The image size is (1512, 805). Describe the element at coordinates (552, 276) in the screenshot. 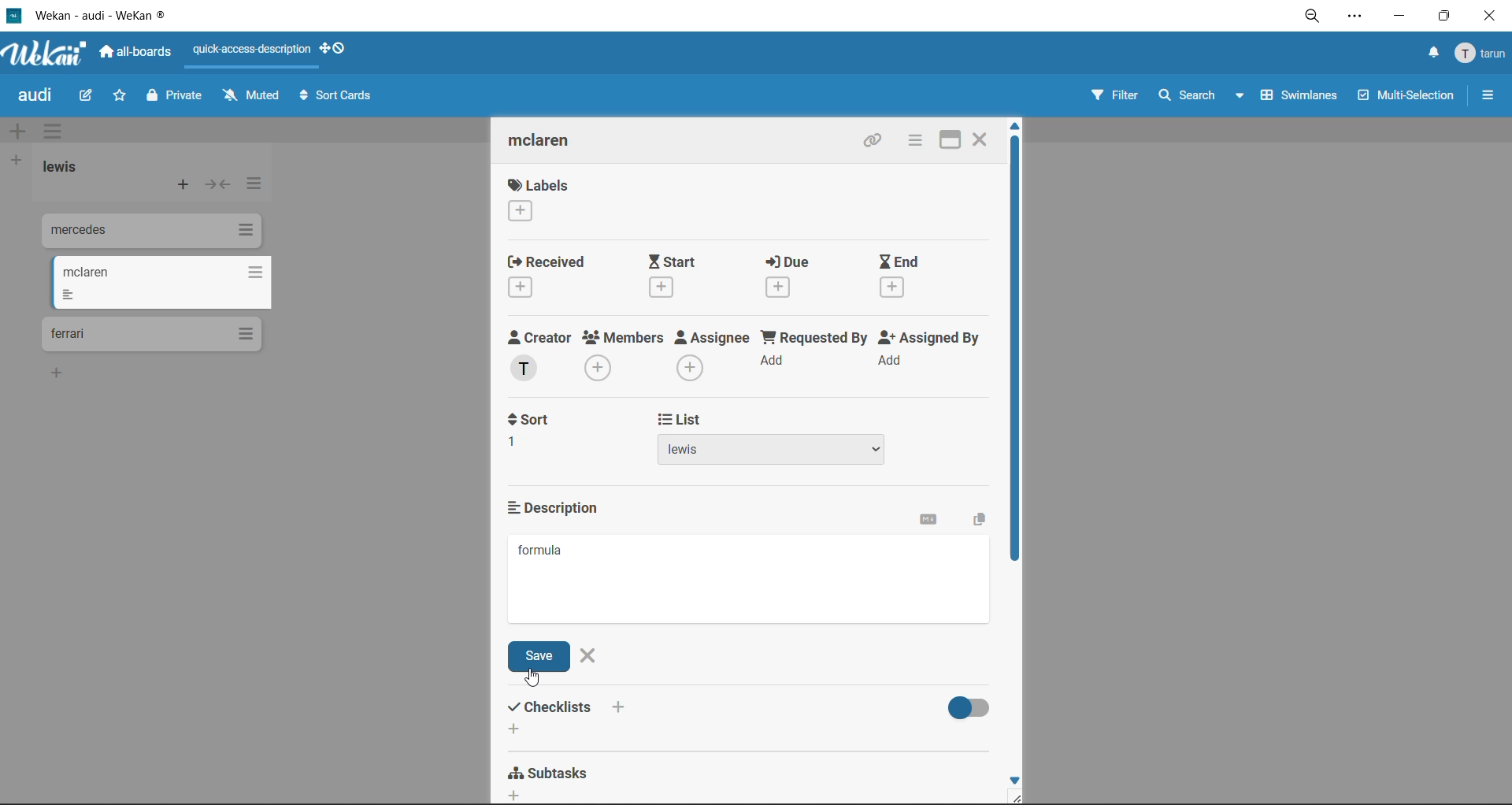

I see `recieved` at that location.